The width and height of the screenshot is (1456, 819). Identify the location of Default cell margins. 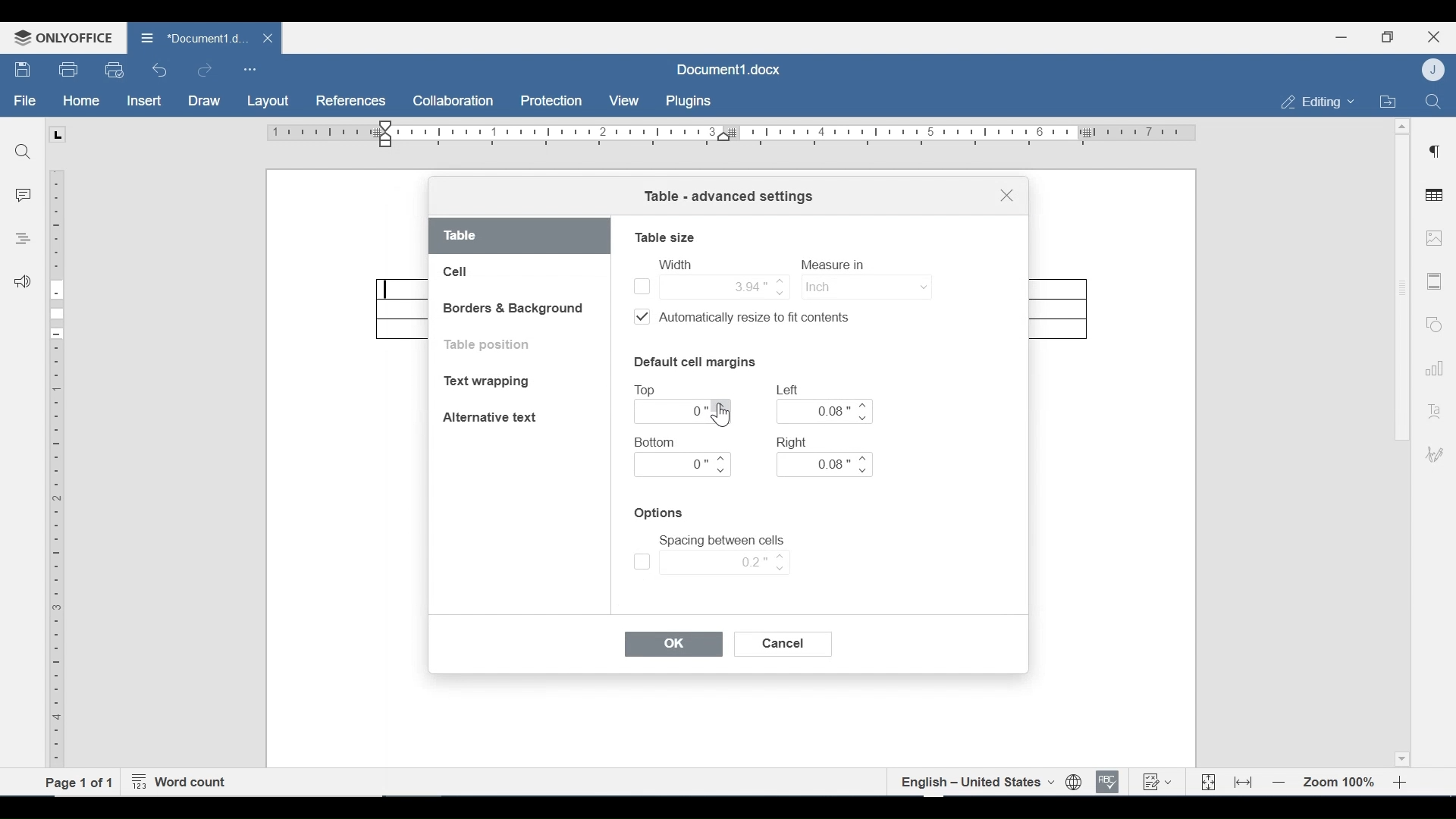
(694, 361).